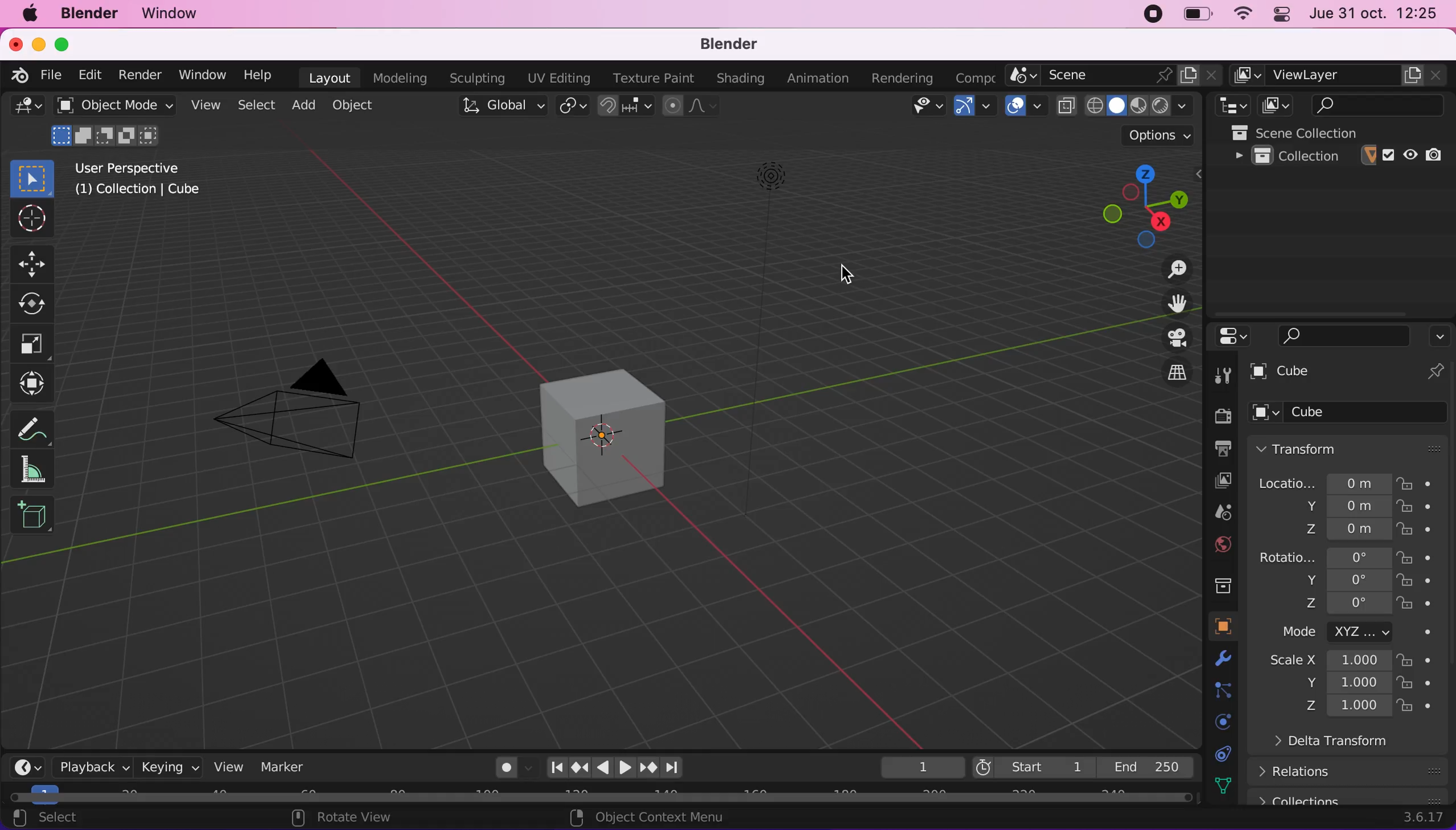  What do you see at coordinates (1421, 819) in the screenshot?
I see `3.6.17` at bounding box center [1421, 819].